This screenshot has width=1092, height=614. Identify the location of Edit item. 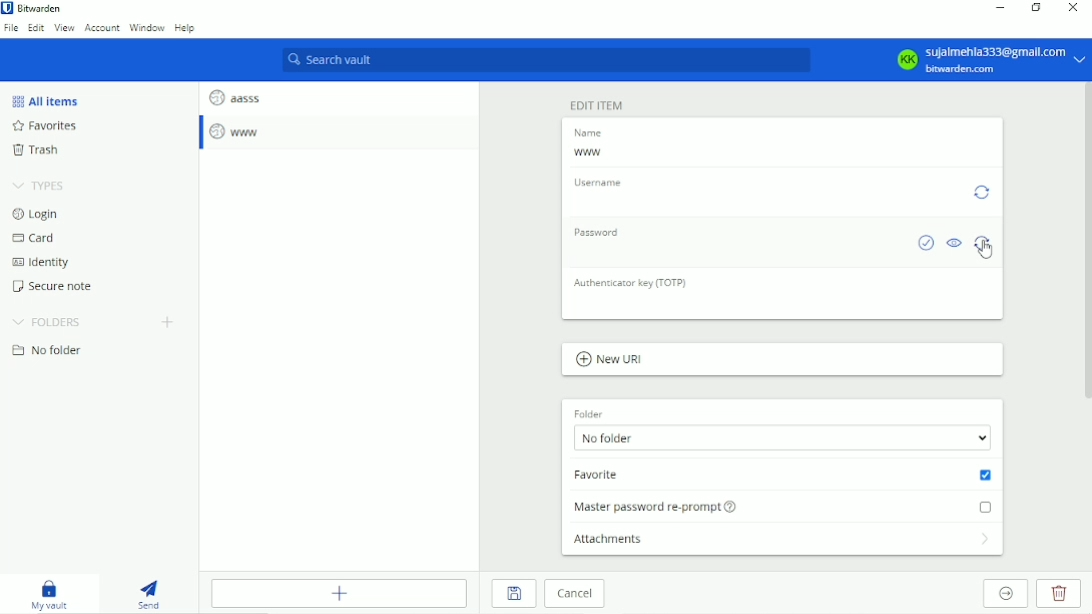
(597, 104).